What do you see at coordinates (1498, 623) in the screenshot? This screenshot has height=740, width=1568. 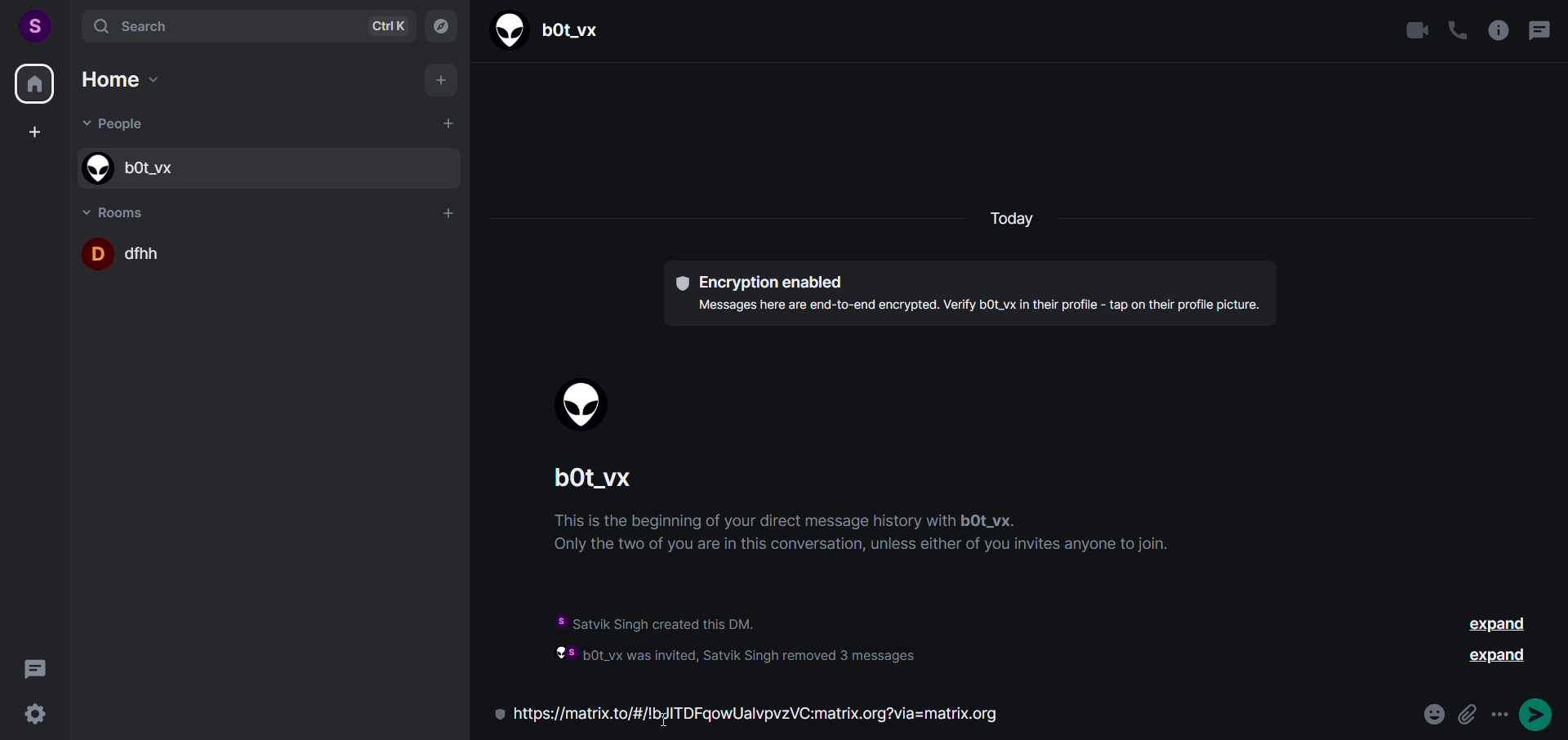 I see `expand` at bounding box center [1498, 623].